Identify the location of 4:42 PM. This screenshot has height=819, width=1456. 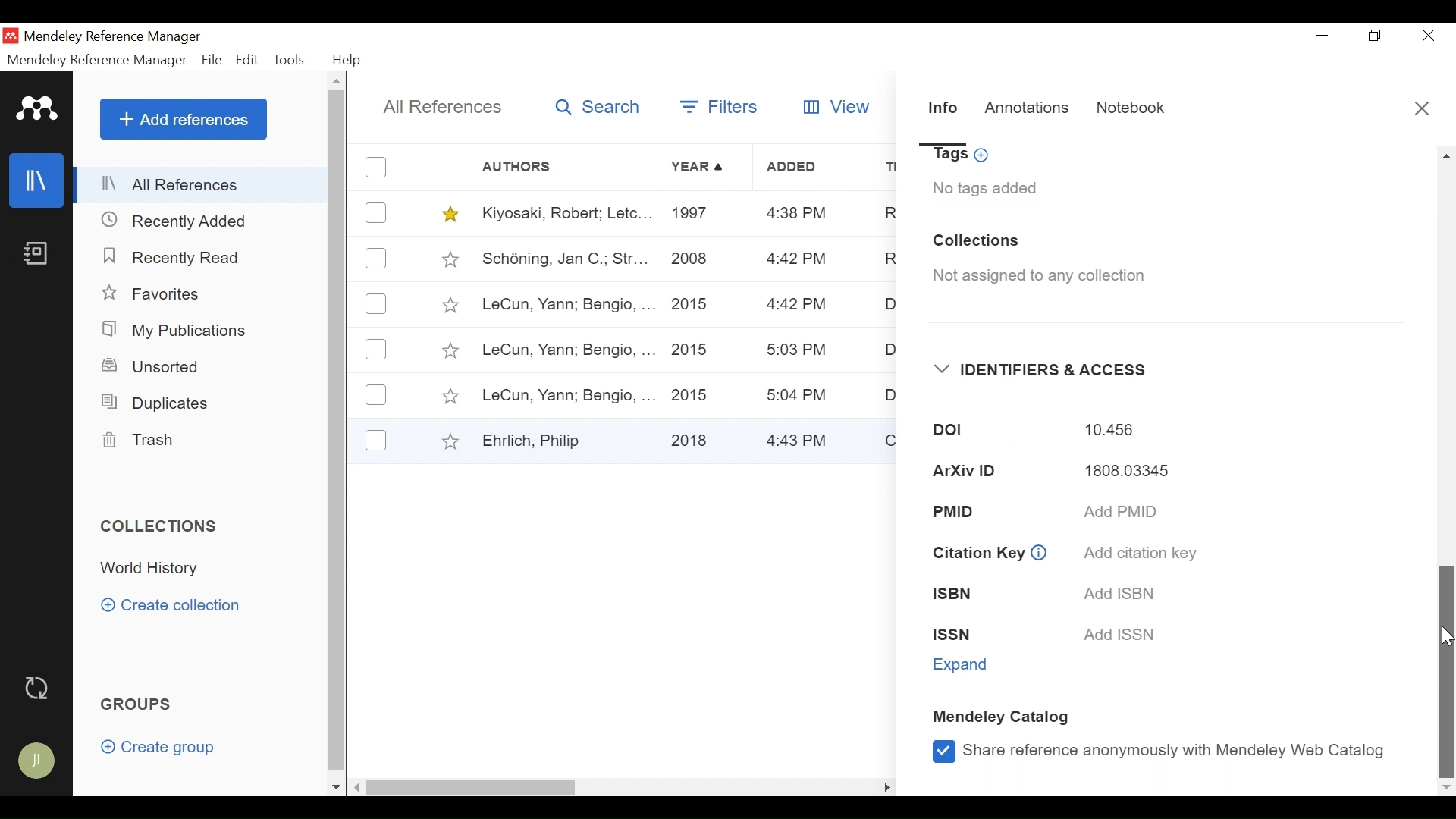
(796, 260).